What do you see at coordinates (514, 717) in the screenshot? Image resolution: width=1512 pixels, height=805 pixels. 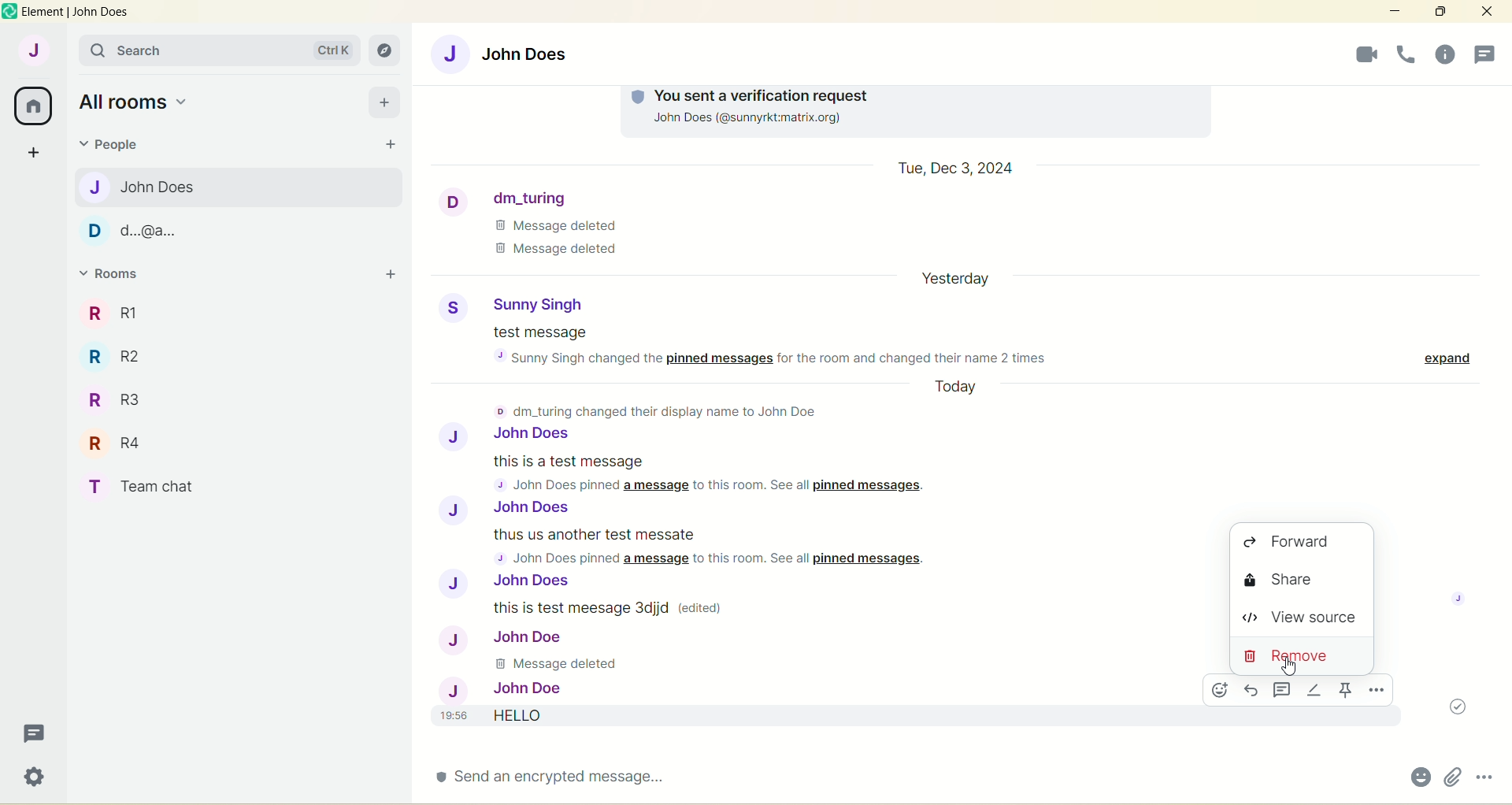 I see `19:56 HELLO` at bounding box center [514, 717].